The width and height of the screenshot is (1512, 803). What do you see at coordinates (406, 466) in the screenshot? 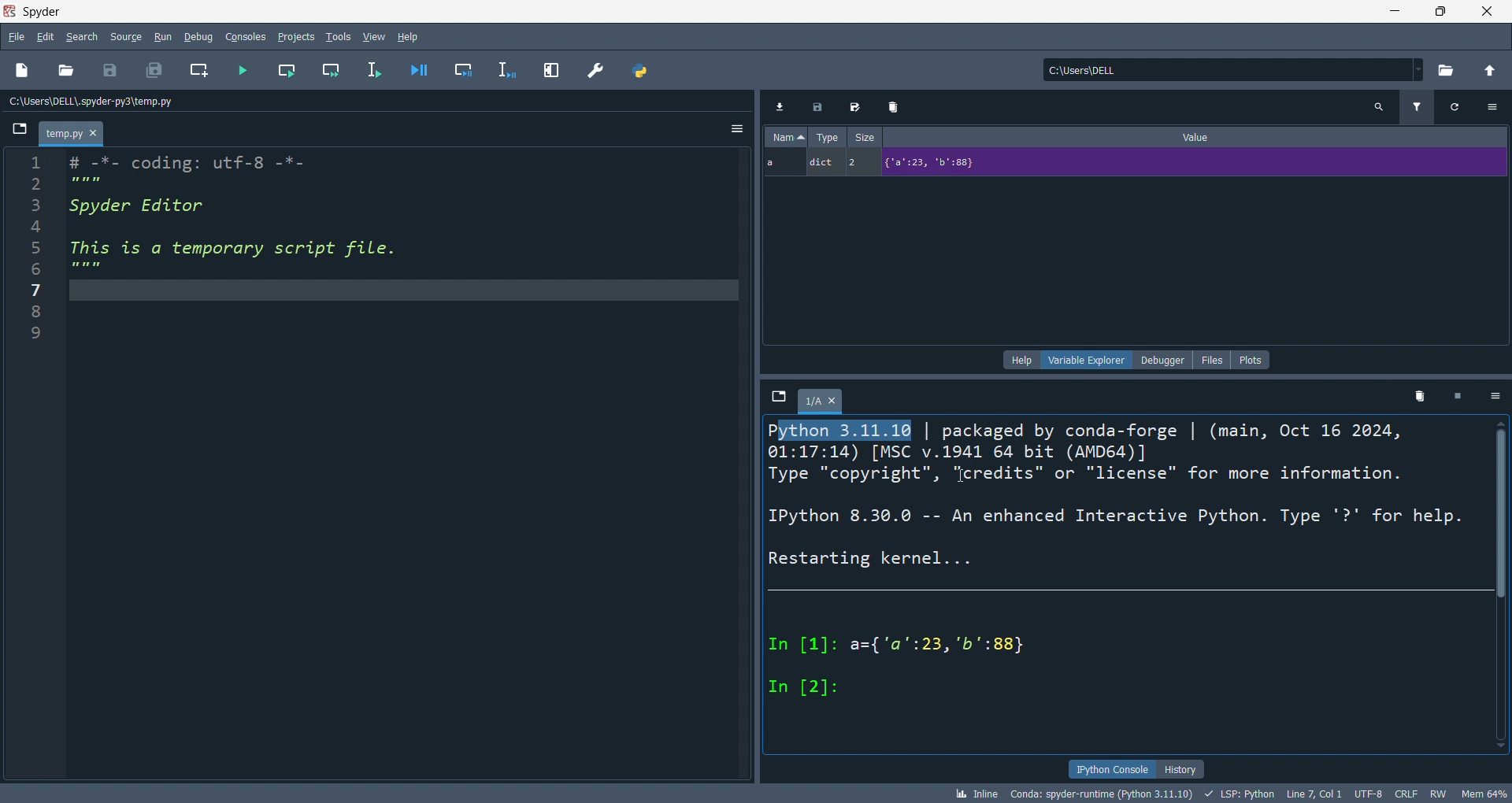
I see `editor Pane` at bounding box center [406, 466].